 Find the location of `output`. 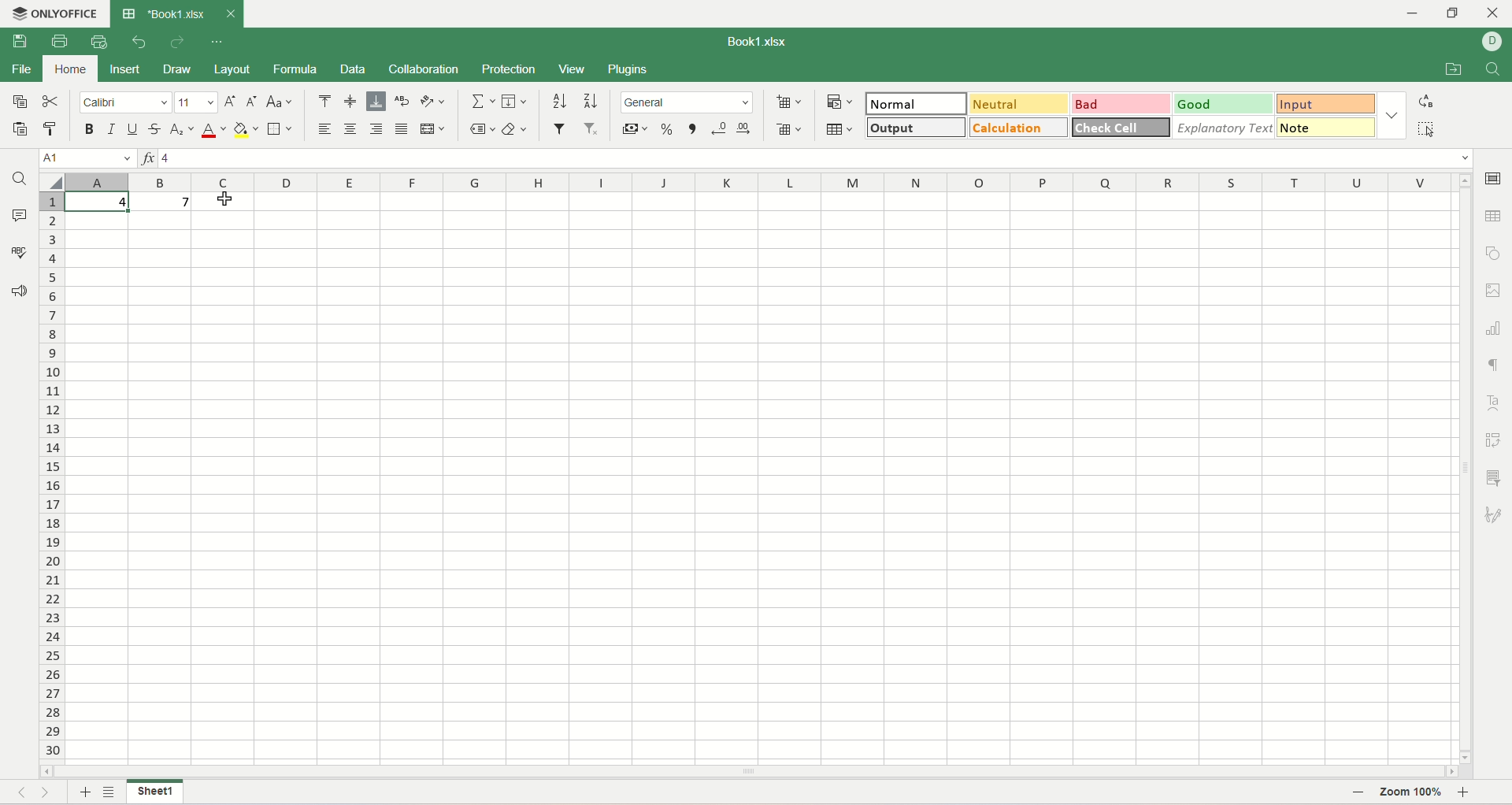

output is located at coordinates (917, 128).